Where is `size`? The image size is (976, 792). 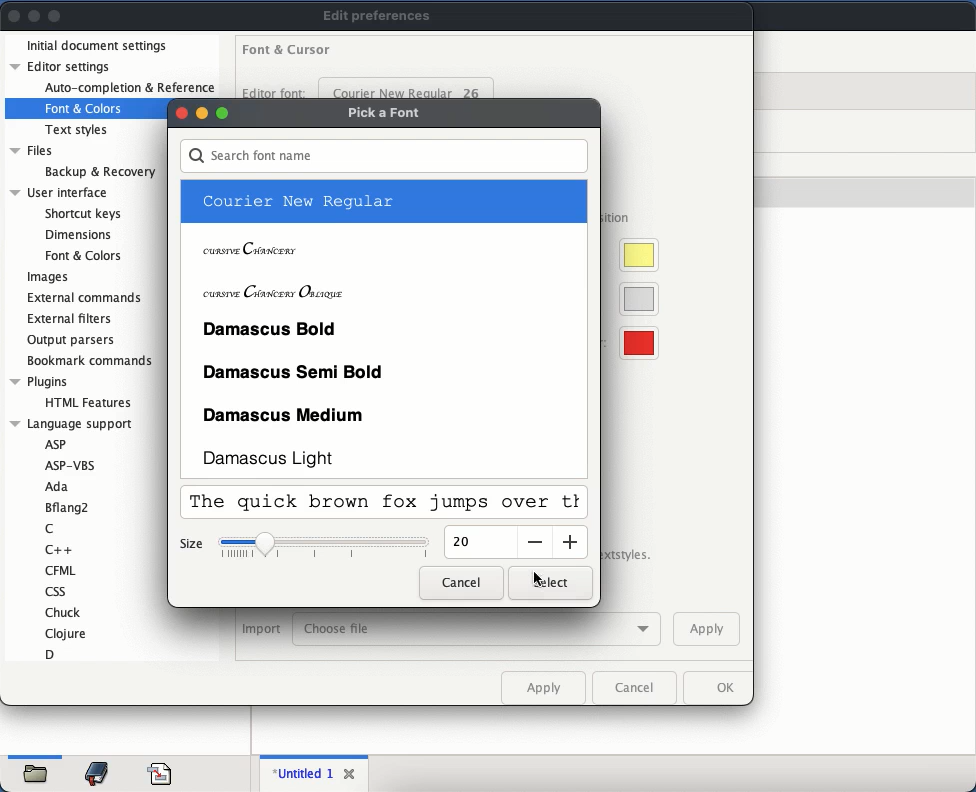 size is located at coordinates (194, 545).